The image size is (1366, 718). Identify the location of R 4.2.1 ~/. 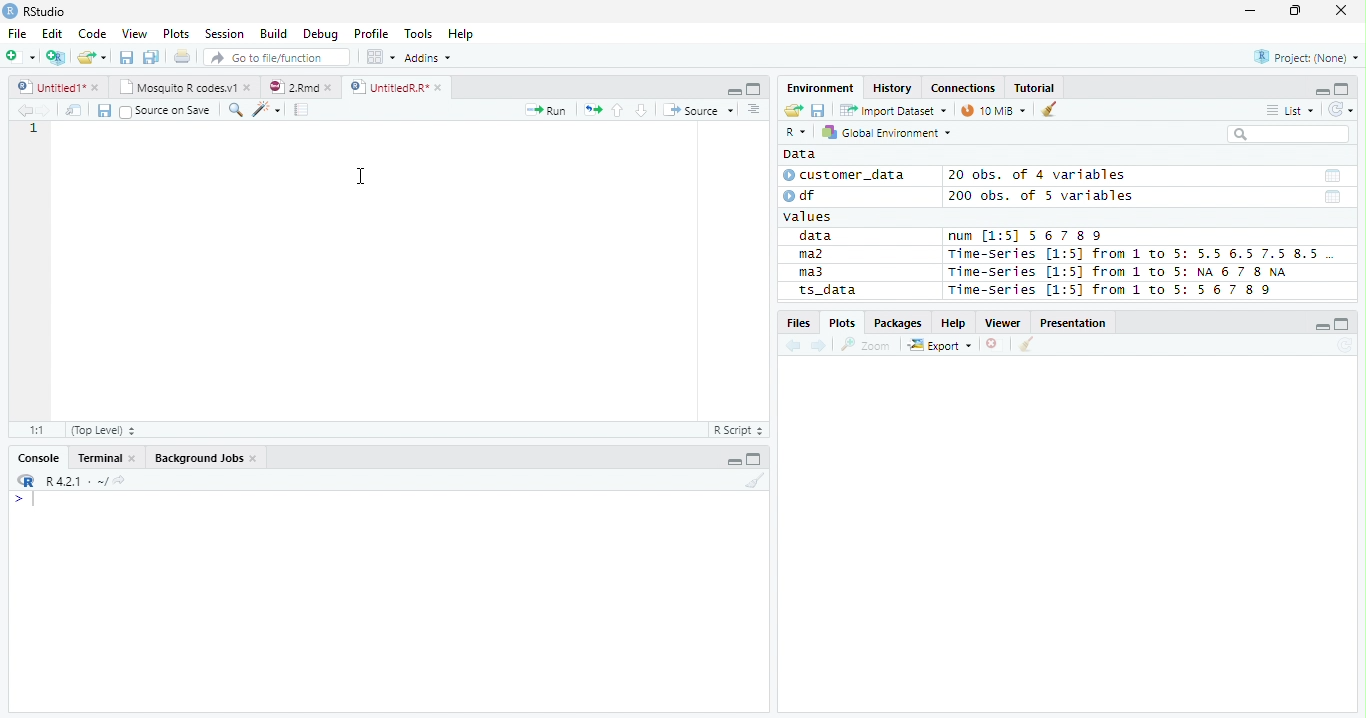
(75, 480).